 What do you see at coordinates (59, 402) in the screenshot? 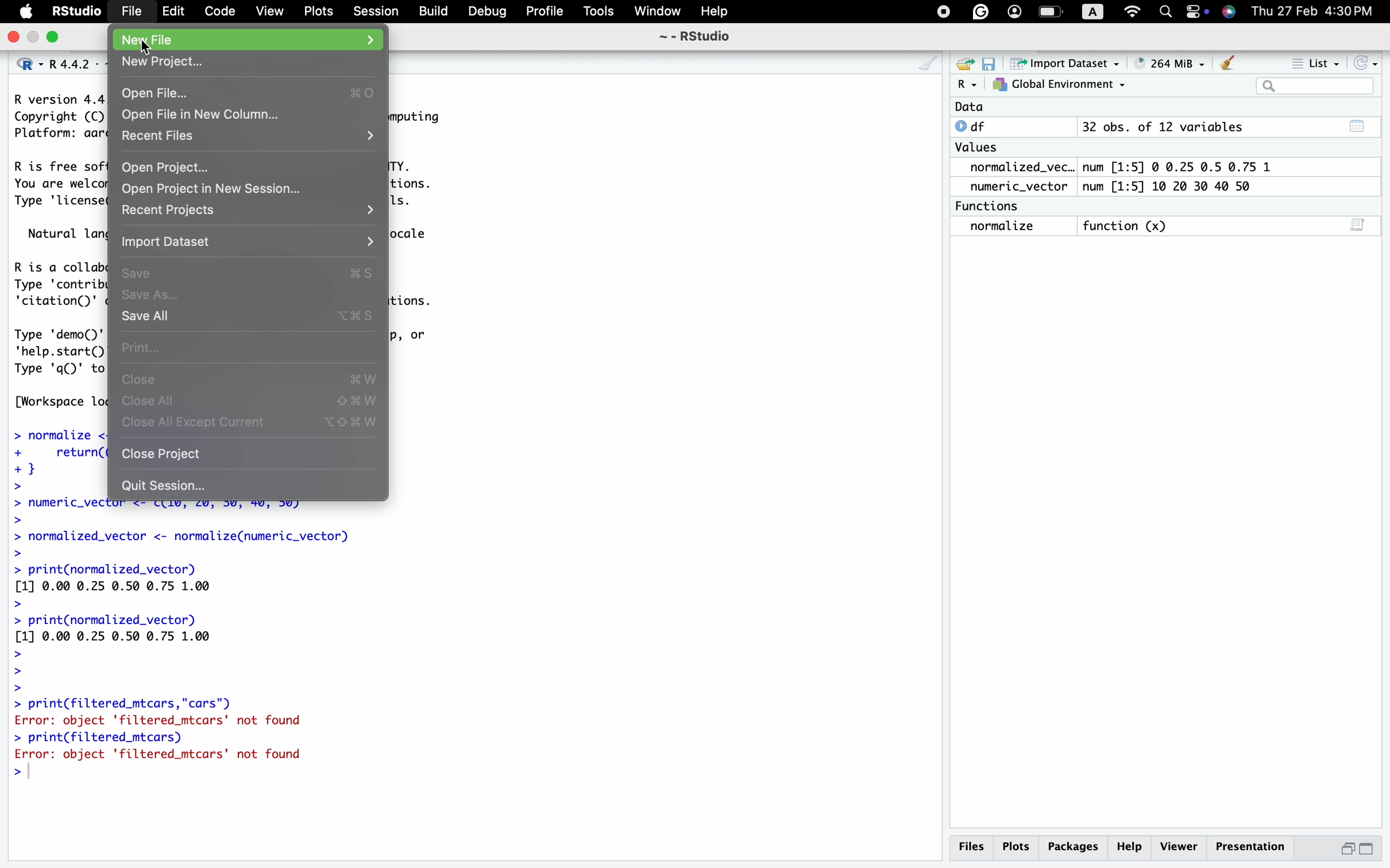
I see `[Workspace lo` at bounding box center [59, 402].